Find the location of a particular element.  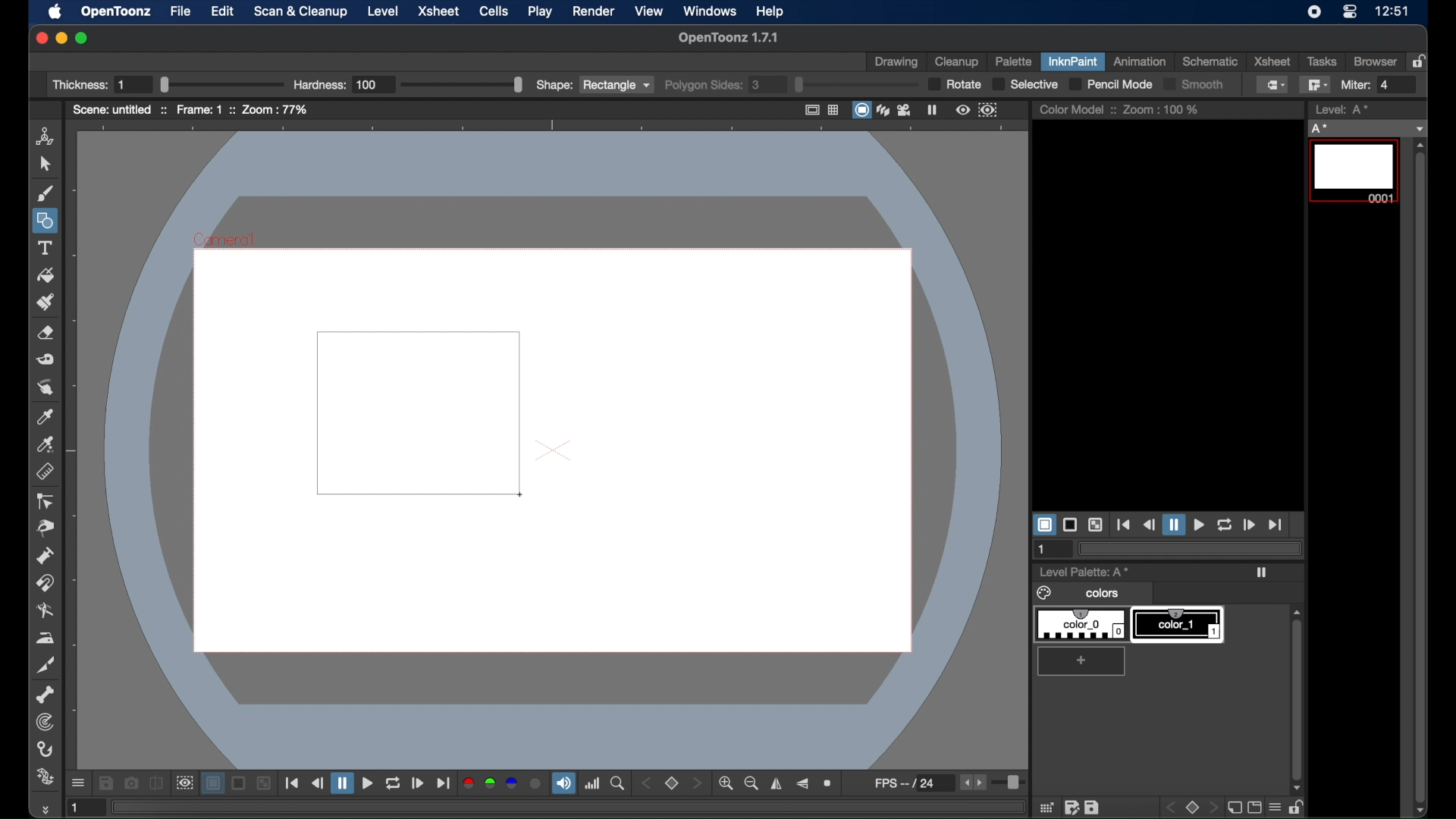

stop is located at coordinates (1194, 807).